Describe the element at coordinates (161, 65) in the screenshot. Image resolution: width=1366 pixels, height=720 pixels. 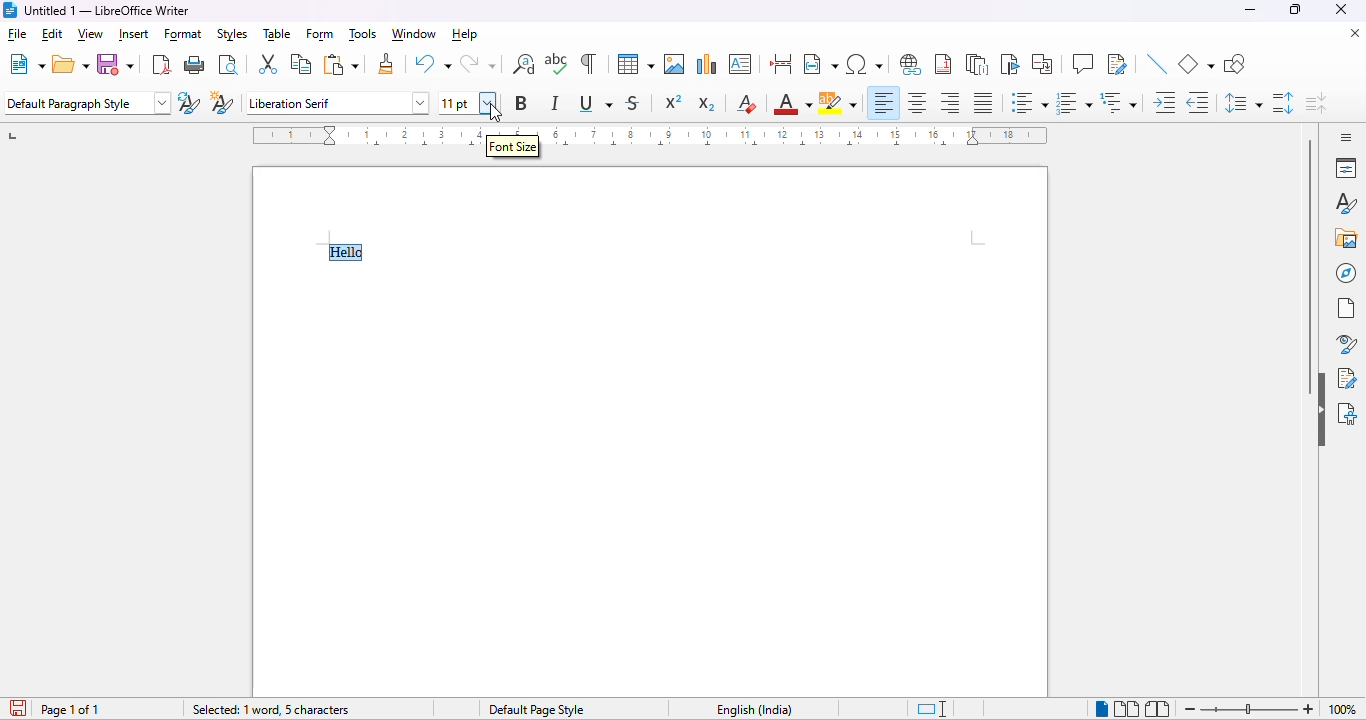
I see `export directly as PDF` at that location.